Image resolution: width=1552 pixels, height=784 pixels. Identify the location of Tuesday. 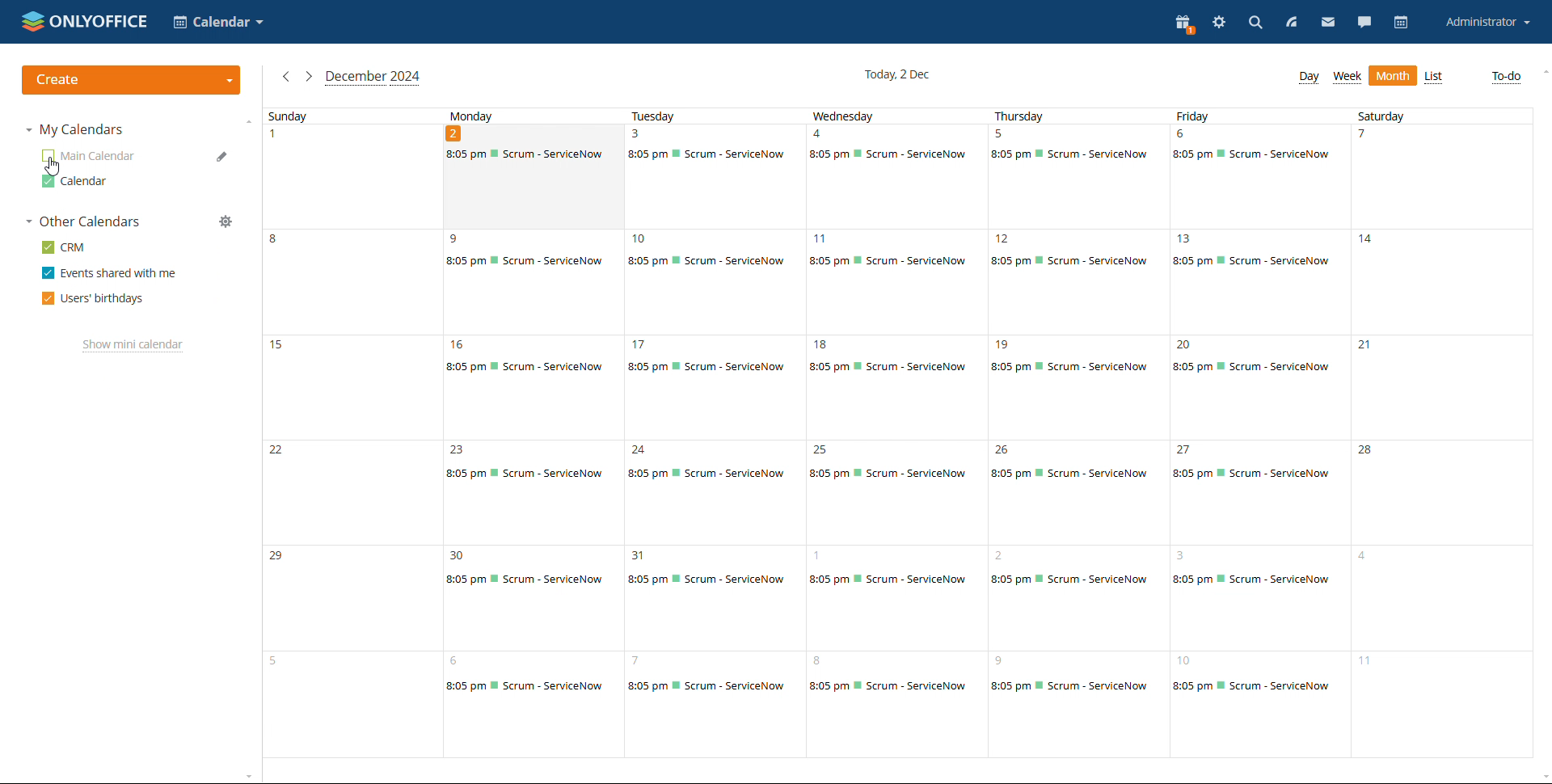
(713, 433).